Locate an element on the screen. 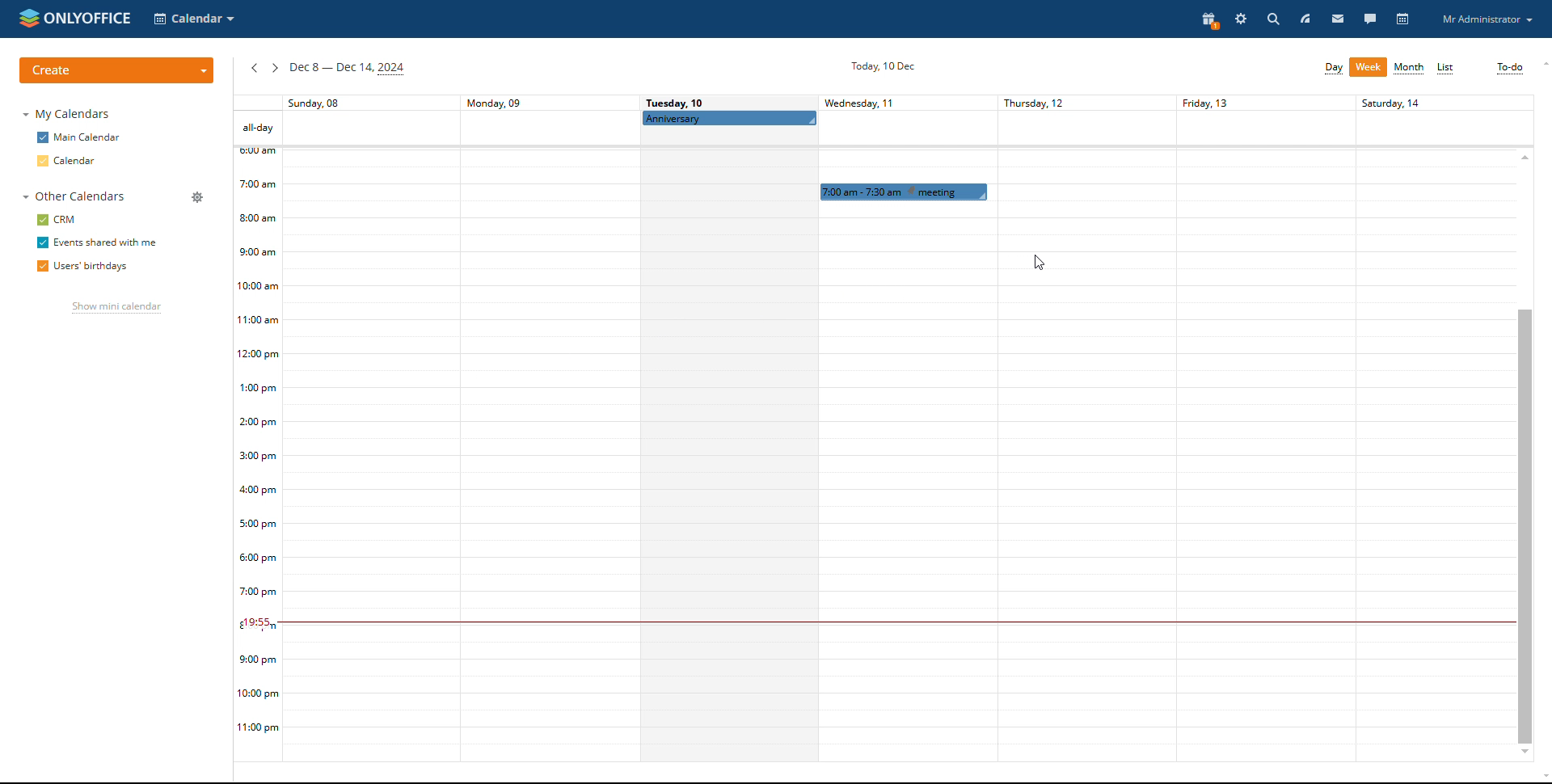 This screenshot has height=784, width=1552. checkbox is located at coordinates (41, 242).